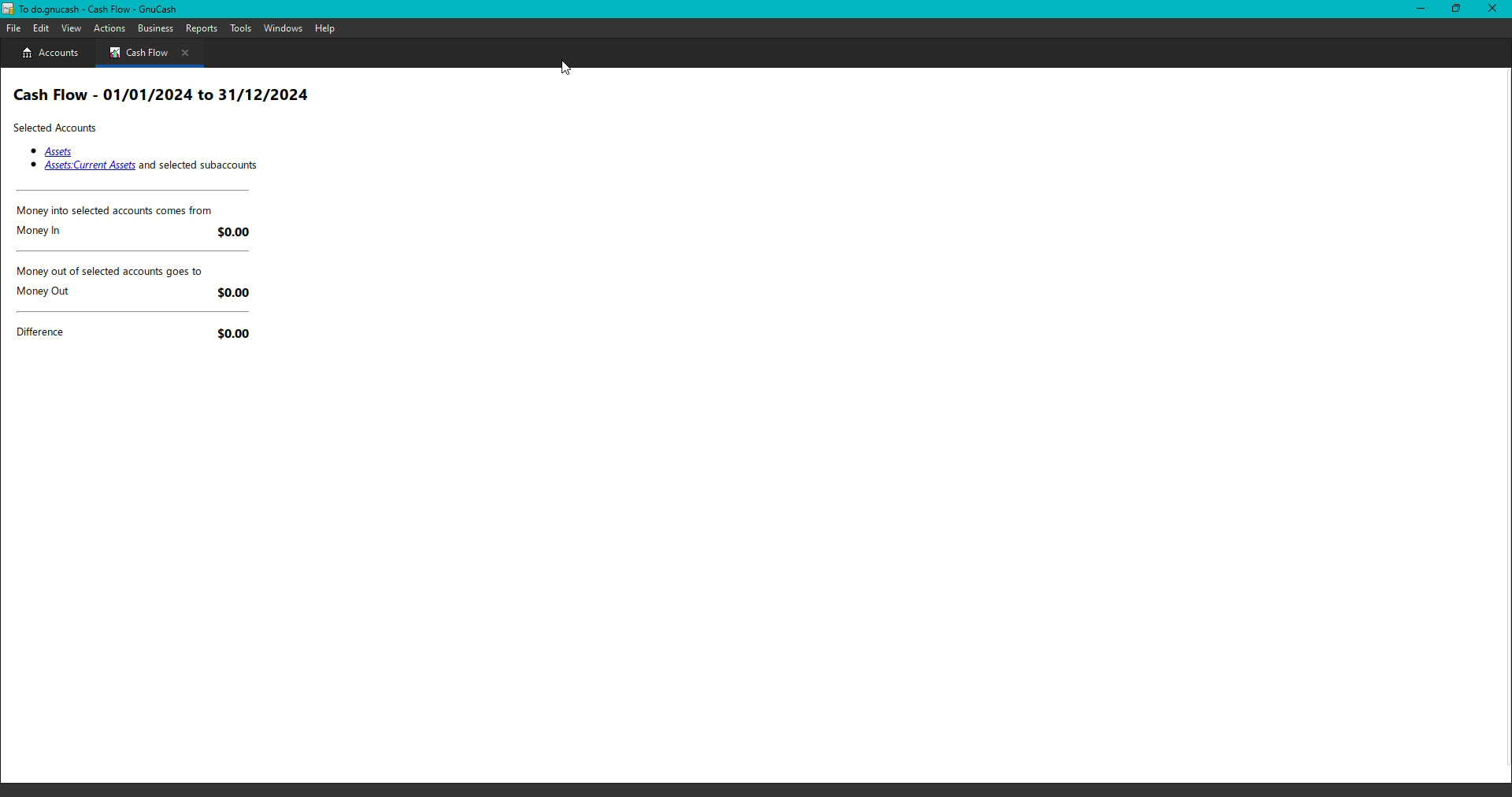 This screenshot has width=1512, height=797. What do you see at coordinates (117, 209) in the screenshot?
I see `Money into selected accounts` at bounding box center [117, 209].